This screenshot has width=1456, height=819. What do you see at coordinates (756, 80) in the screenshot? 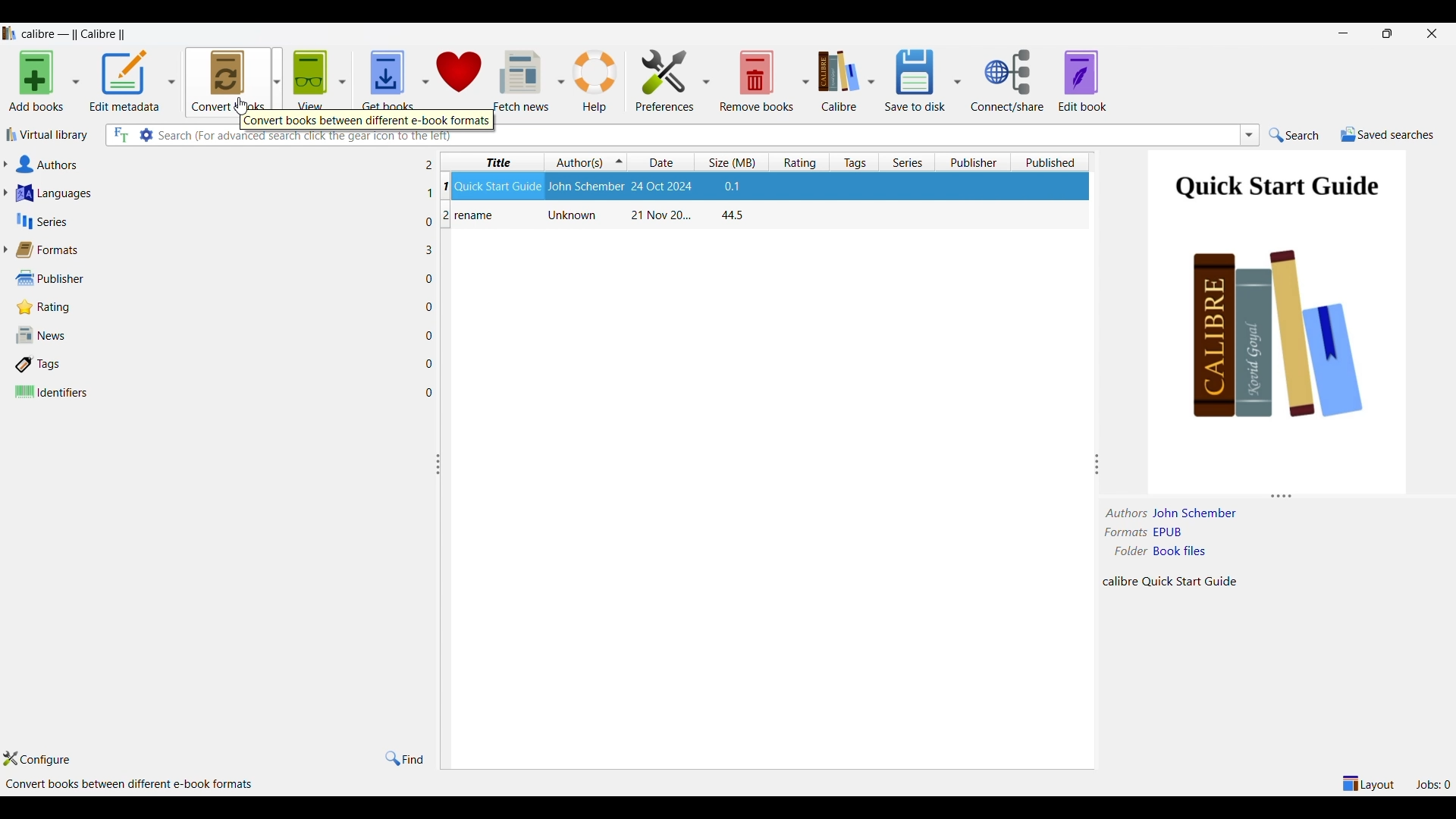
I see `Remove books` at bounding box center [756, 80].